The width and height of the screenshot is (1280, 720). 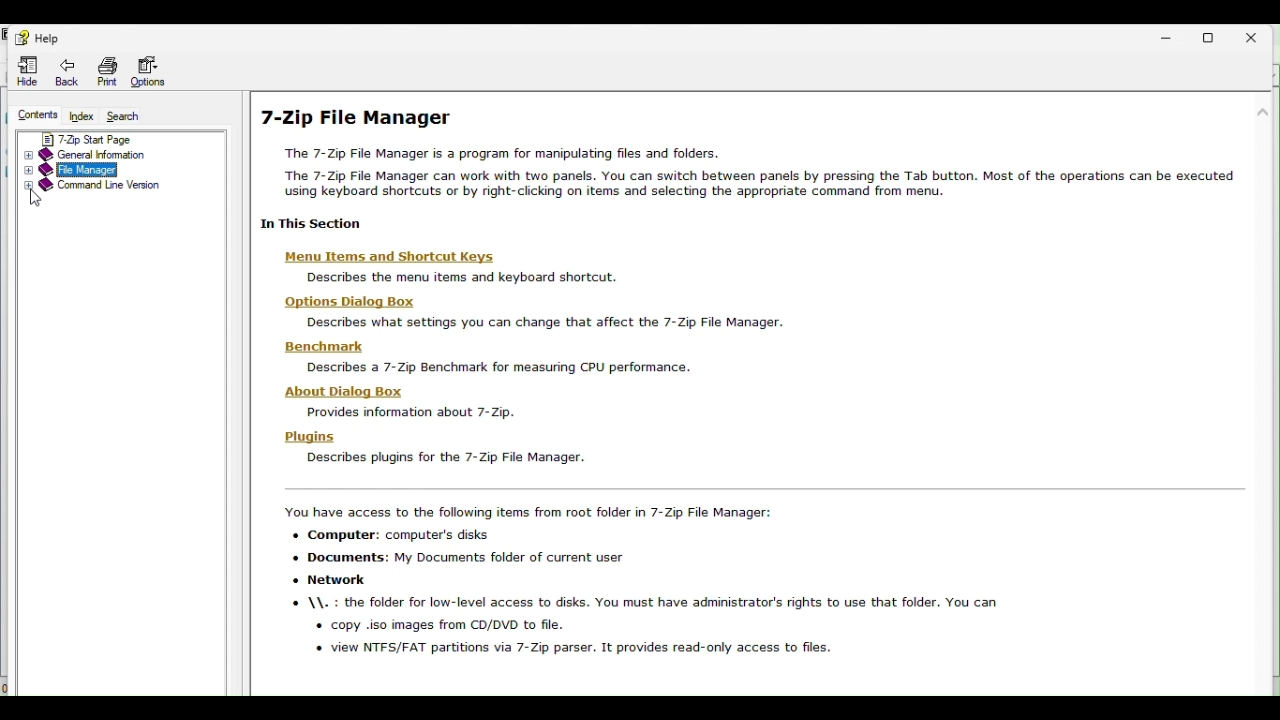 What do you see at coordinates (311, 439) in the screenshot?
I see `Plugins` at bounding box center [311, 439].